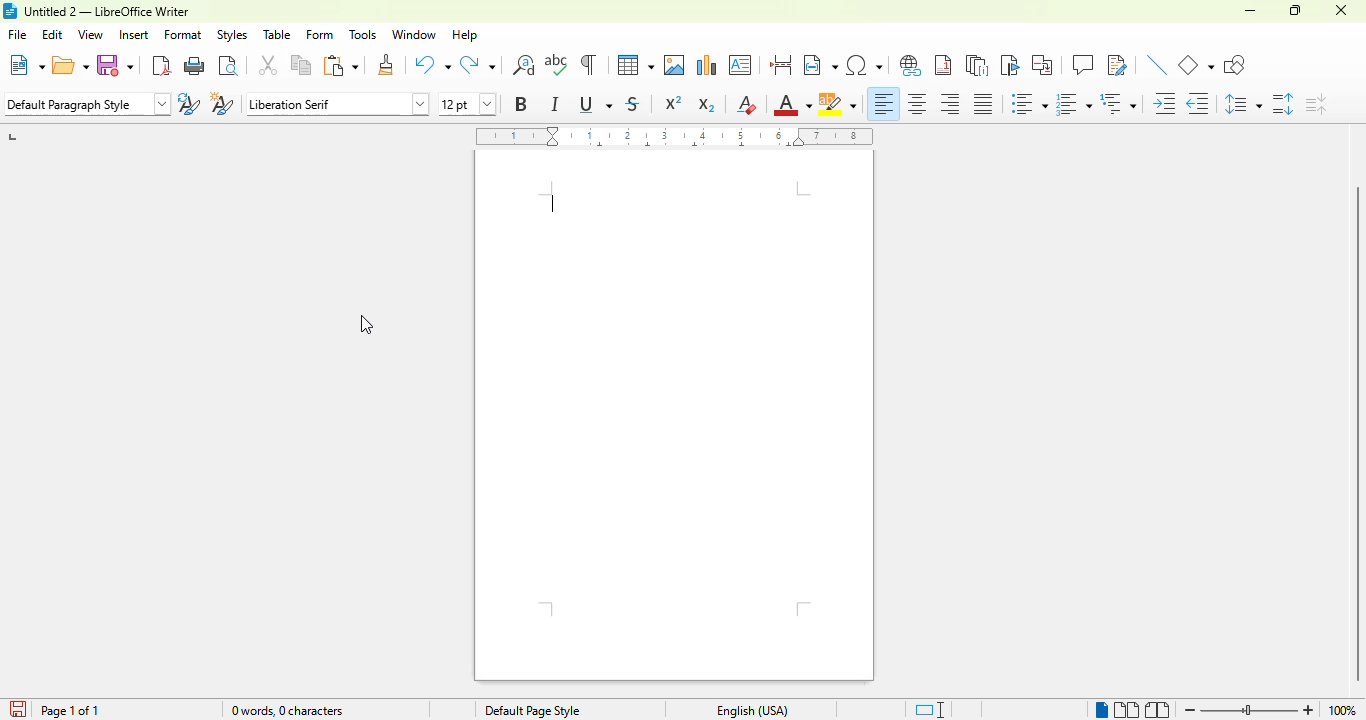 This screenshot has height=720, width=1366. Describe the element at coordinates (674, 102) in the screenshot. I see `superscript` at that location.